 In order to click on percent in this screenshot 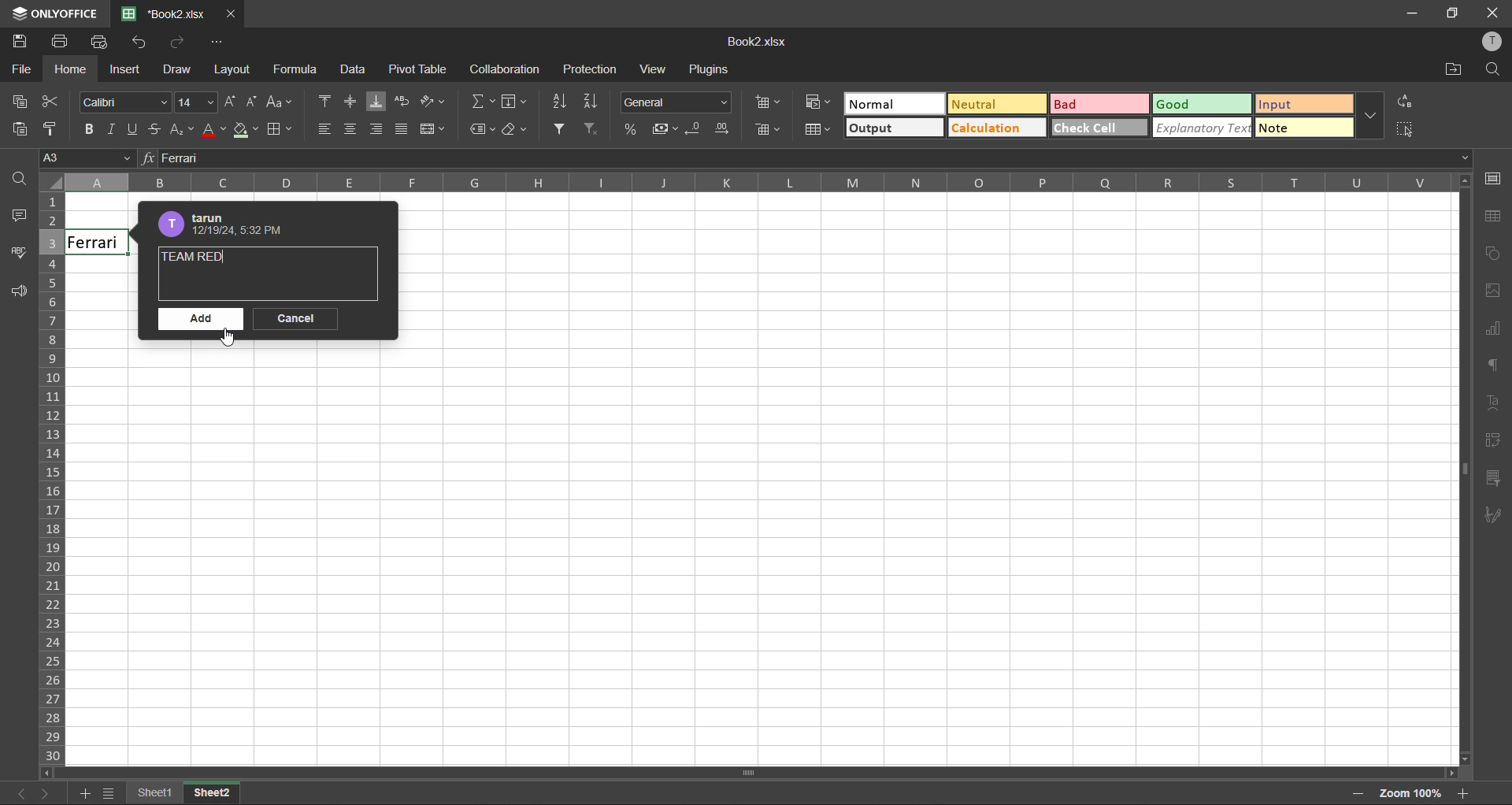, I will do `click(628, 131)`.